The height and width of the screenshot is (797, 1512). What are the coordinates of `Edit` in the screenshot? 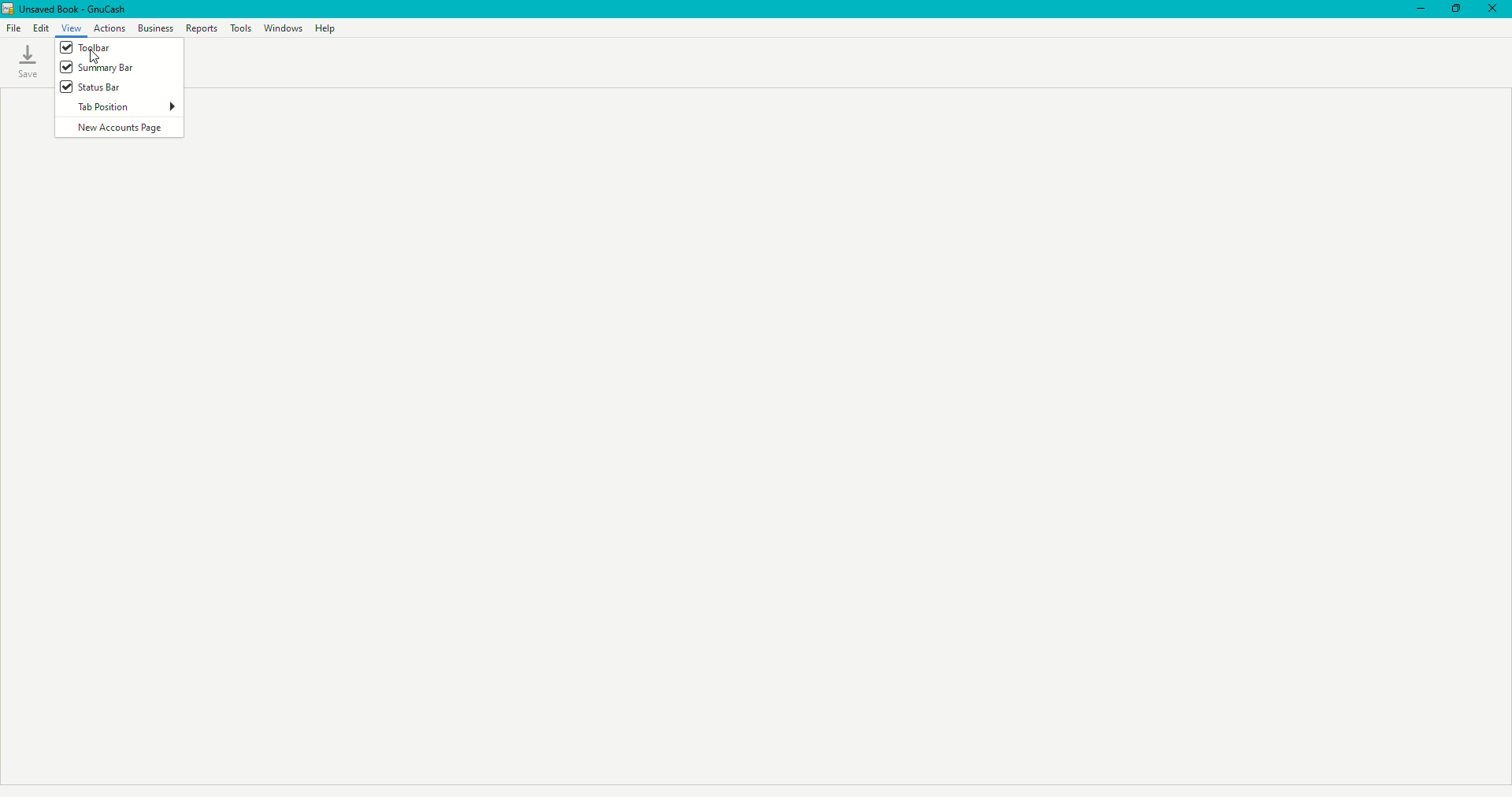 It's located at (40, 28).